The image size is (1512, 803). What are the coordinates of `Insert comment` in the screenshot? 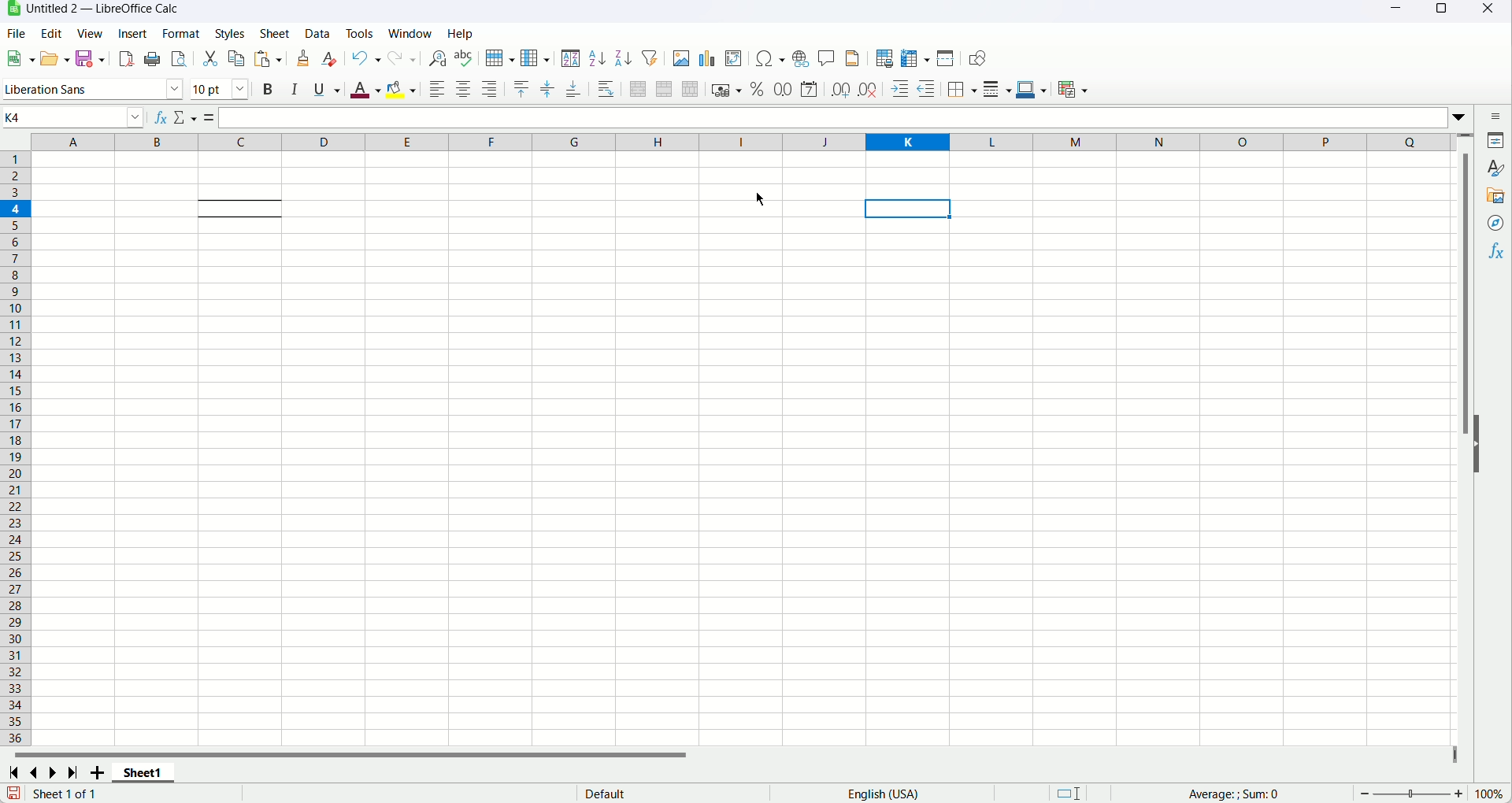 It's located at (826, 57).